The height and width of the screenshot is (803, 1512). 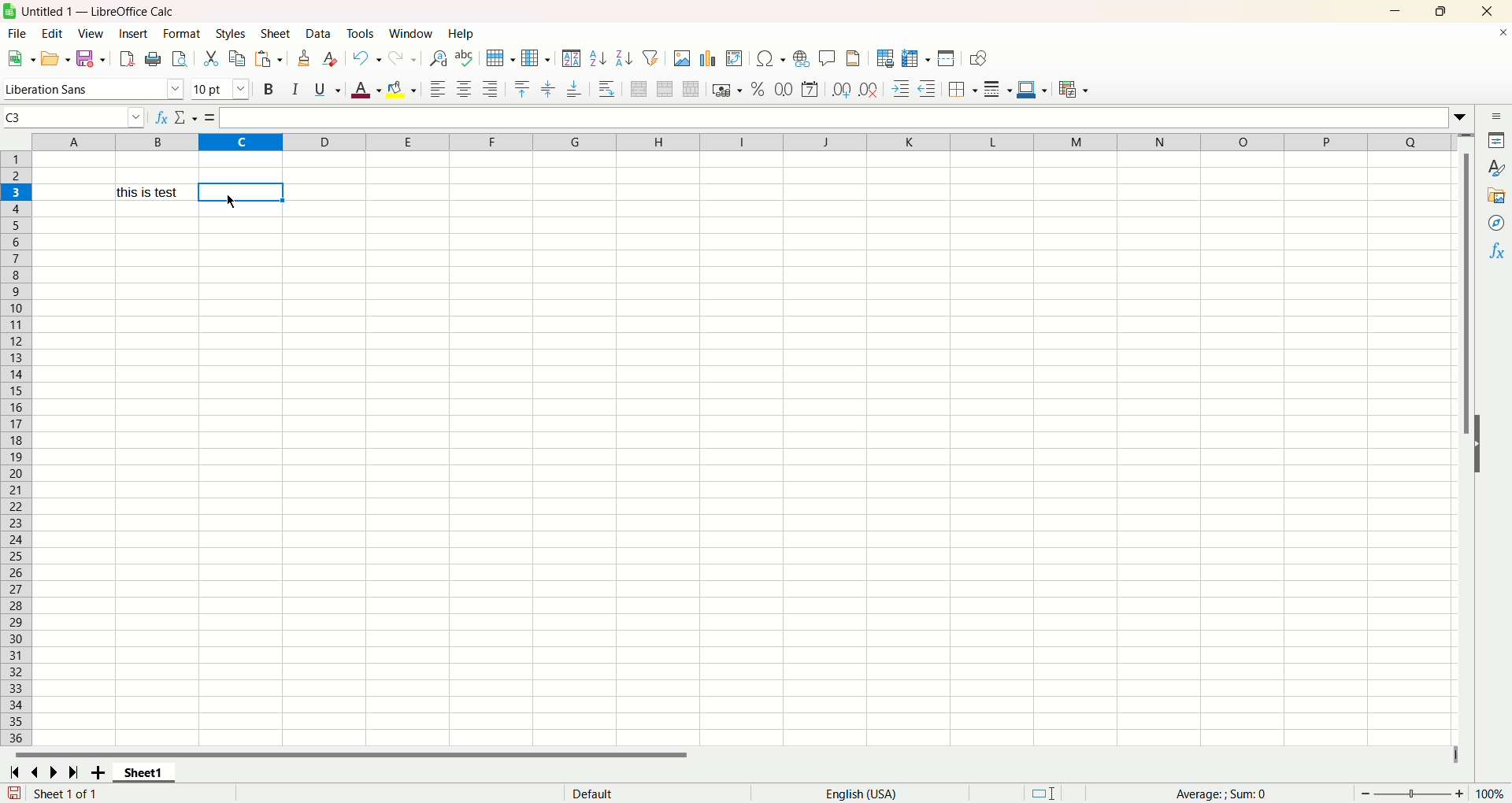 I want to click on sort descending, so click(x=622, y=57).